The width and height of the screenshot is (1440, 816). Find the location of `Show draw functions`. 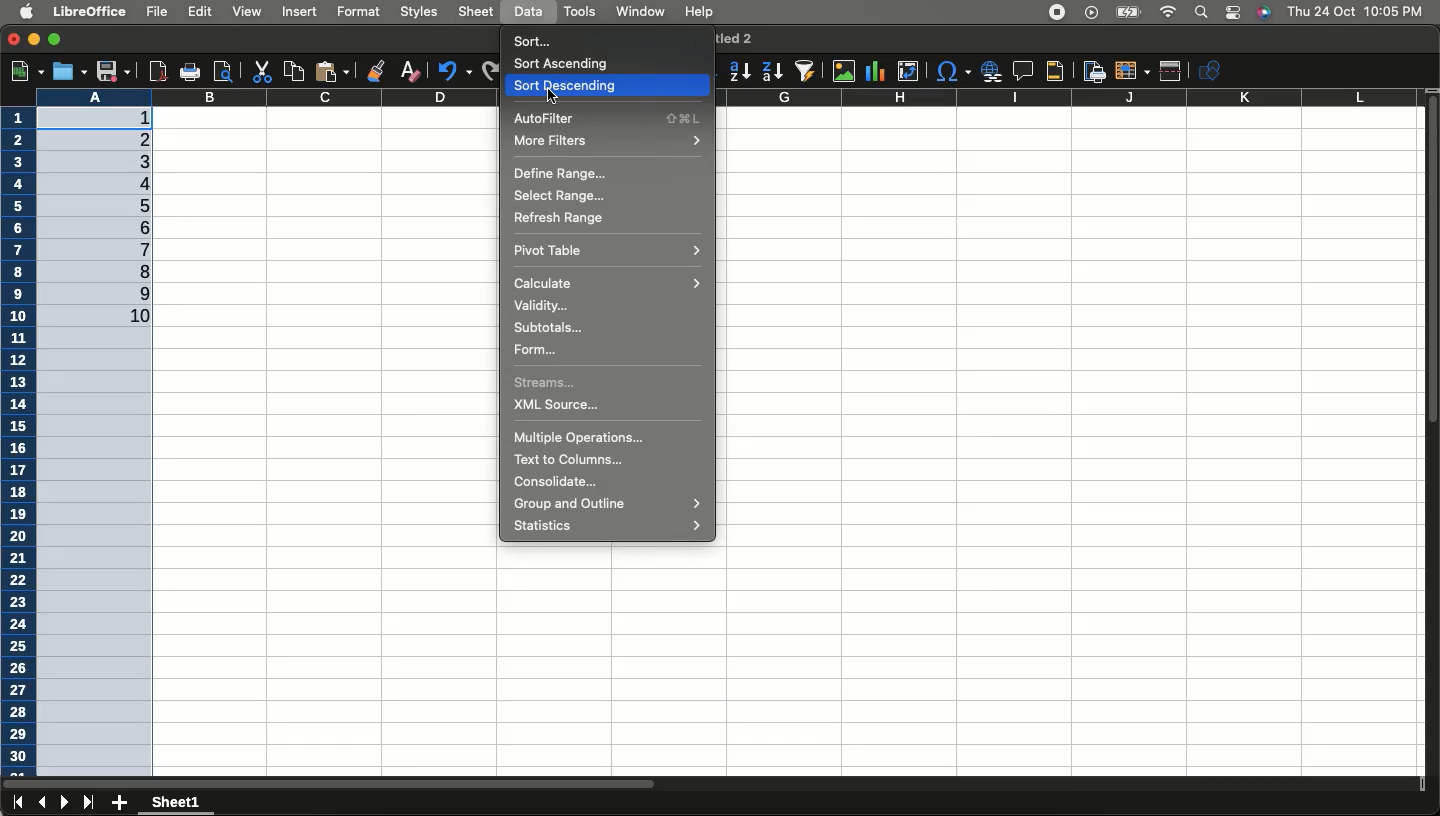

Show draw functions is located at coordinates (1213, 70).